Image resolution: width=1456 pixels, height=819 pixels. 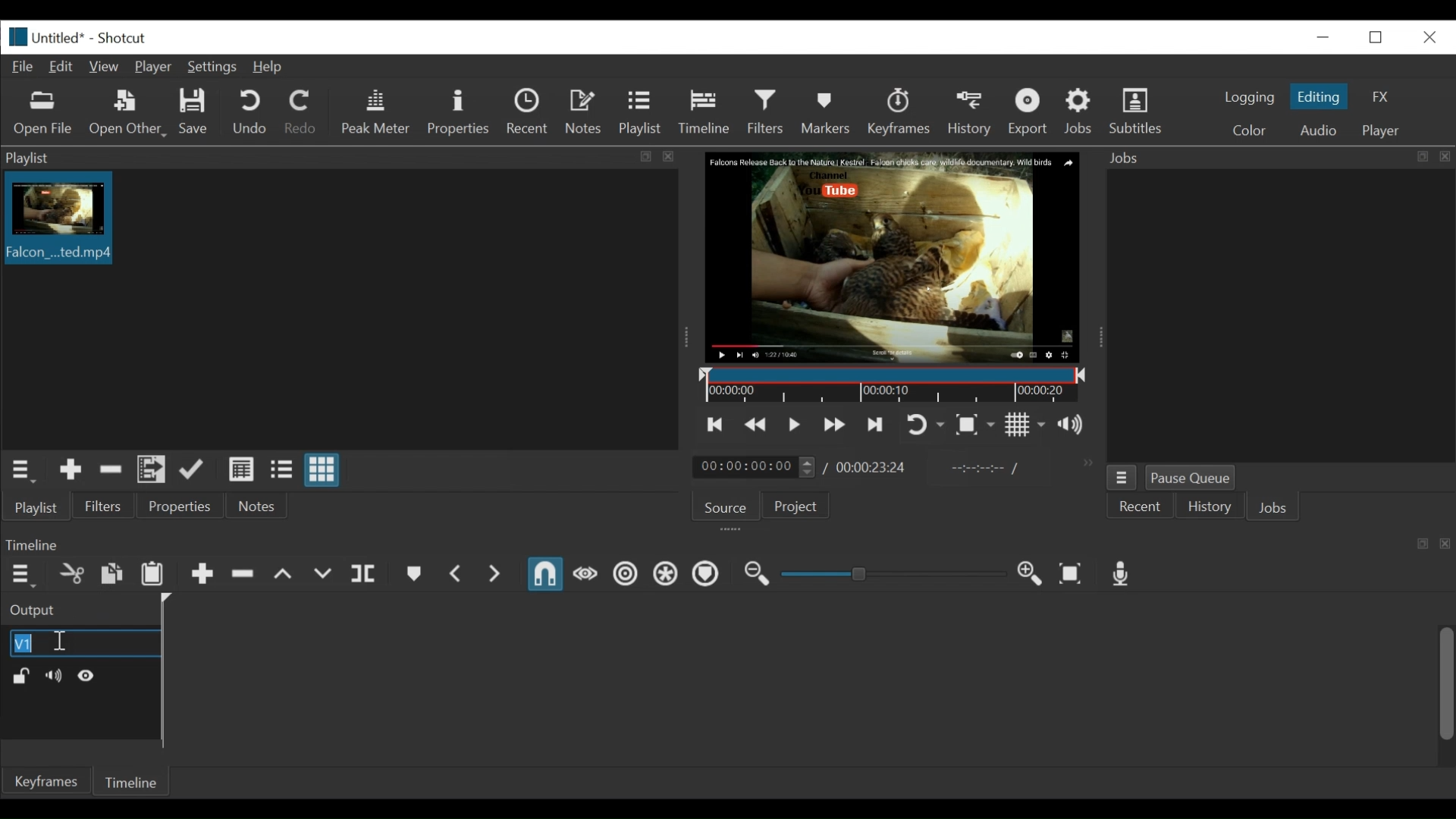 I want to click on Pause Queue, so click(x=1195, y=479).